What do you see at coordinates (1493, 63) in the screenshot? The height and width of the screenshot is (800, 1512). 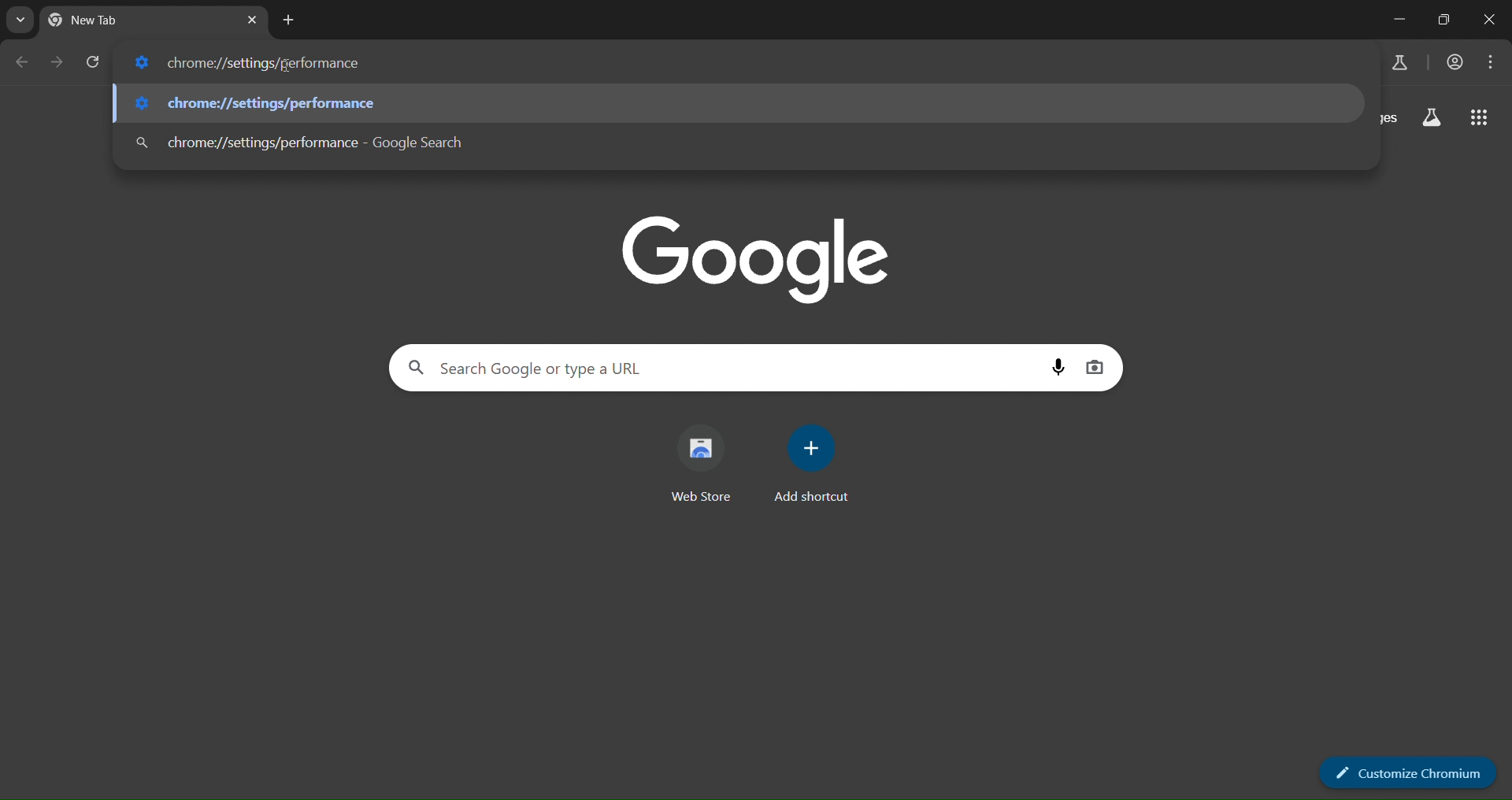 I see `menu` at bounding box center [1493, 63].